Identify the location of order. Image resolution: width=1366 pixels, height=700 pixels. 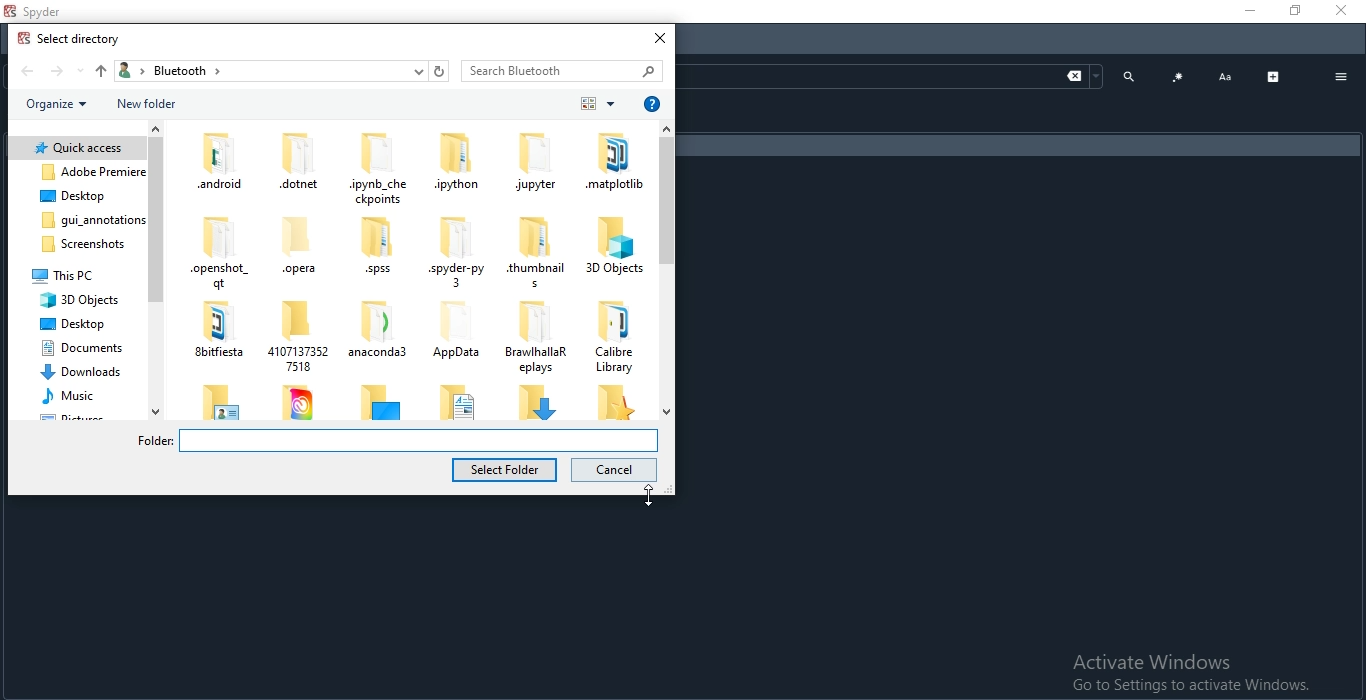
(595, 104).